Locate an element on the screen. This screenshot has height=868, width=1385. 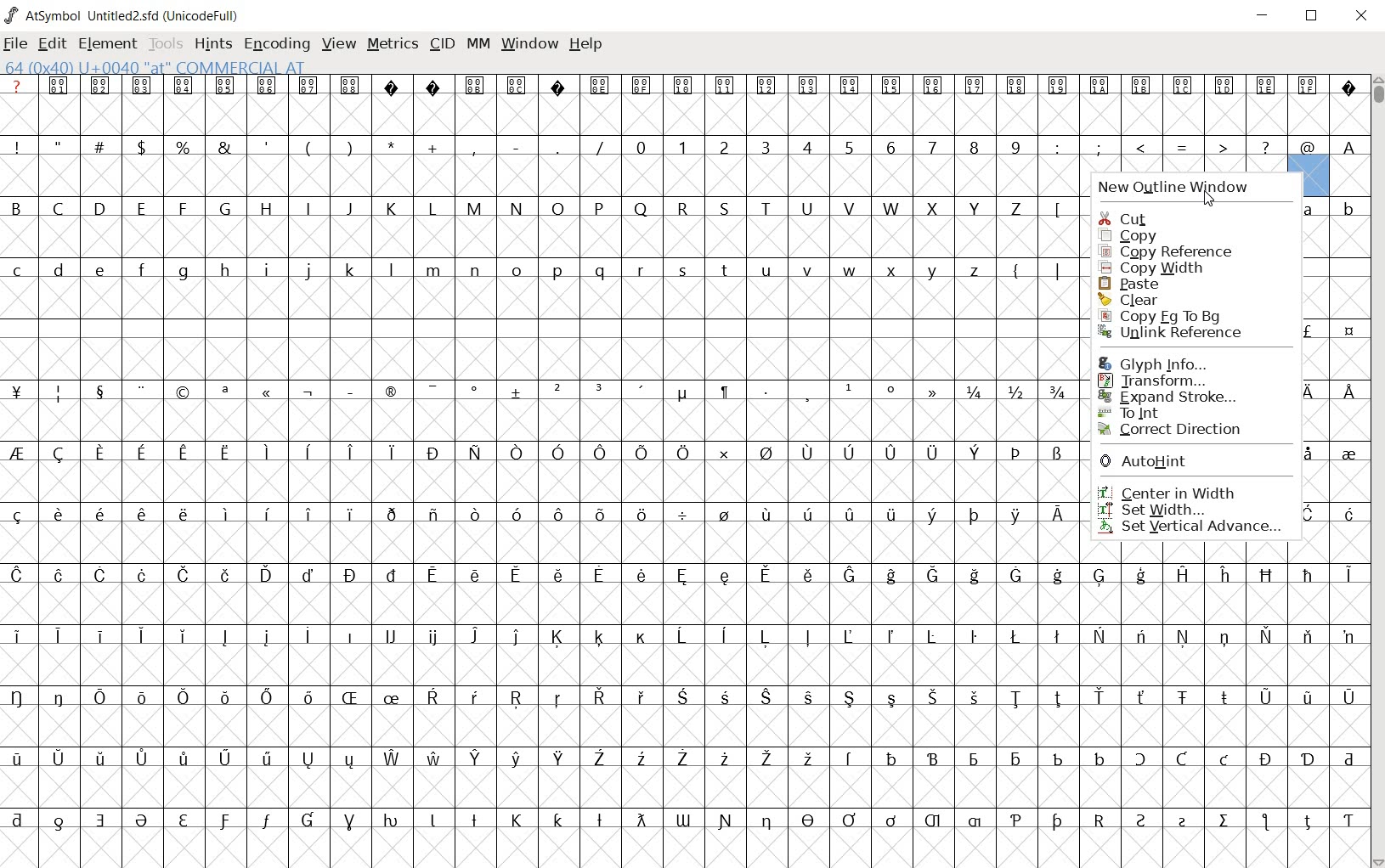
ENCODING is located at coordinates (280, 46).